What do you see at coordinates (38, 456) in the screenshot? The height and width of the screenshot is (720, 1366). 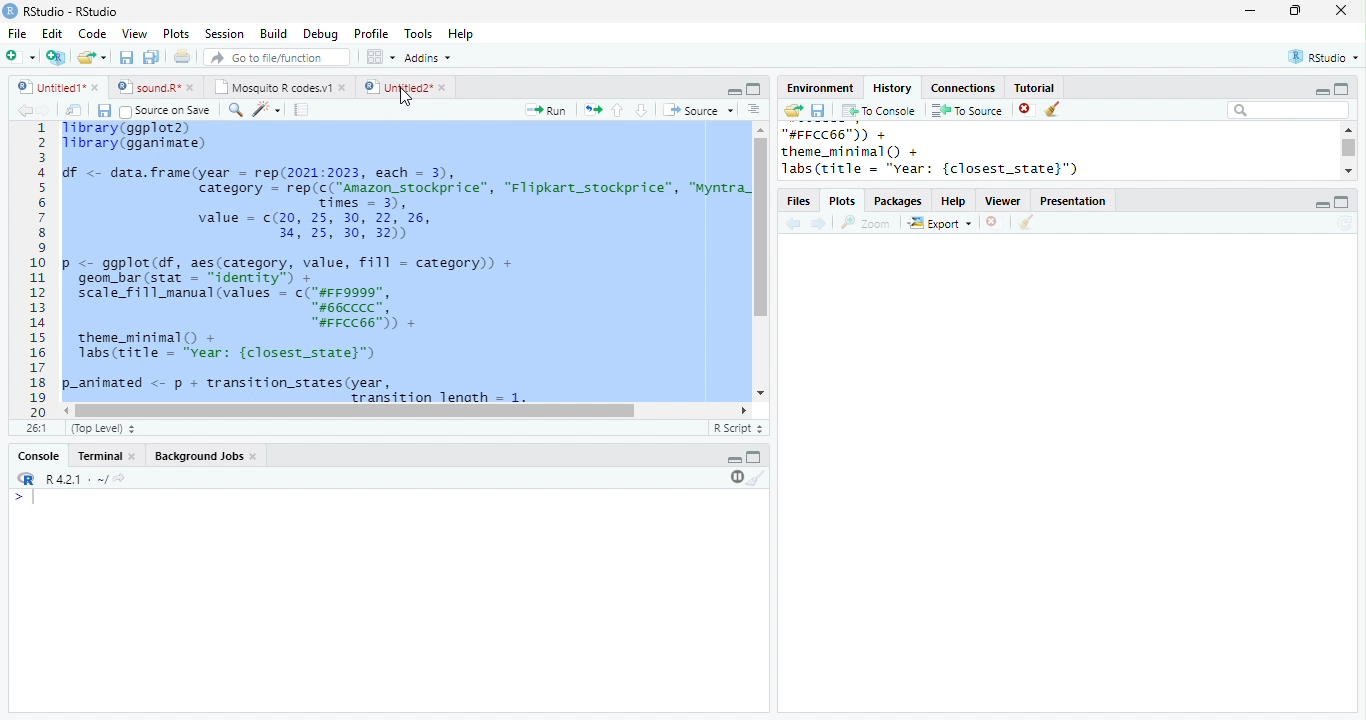 I see `Console` at bounding box center [38, 456].